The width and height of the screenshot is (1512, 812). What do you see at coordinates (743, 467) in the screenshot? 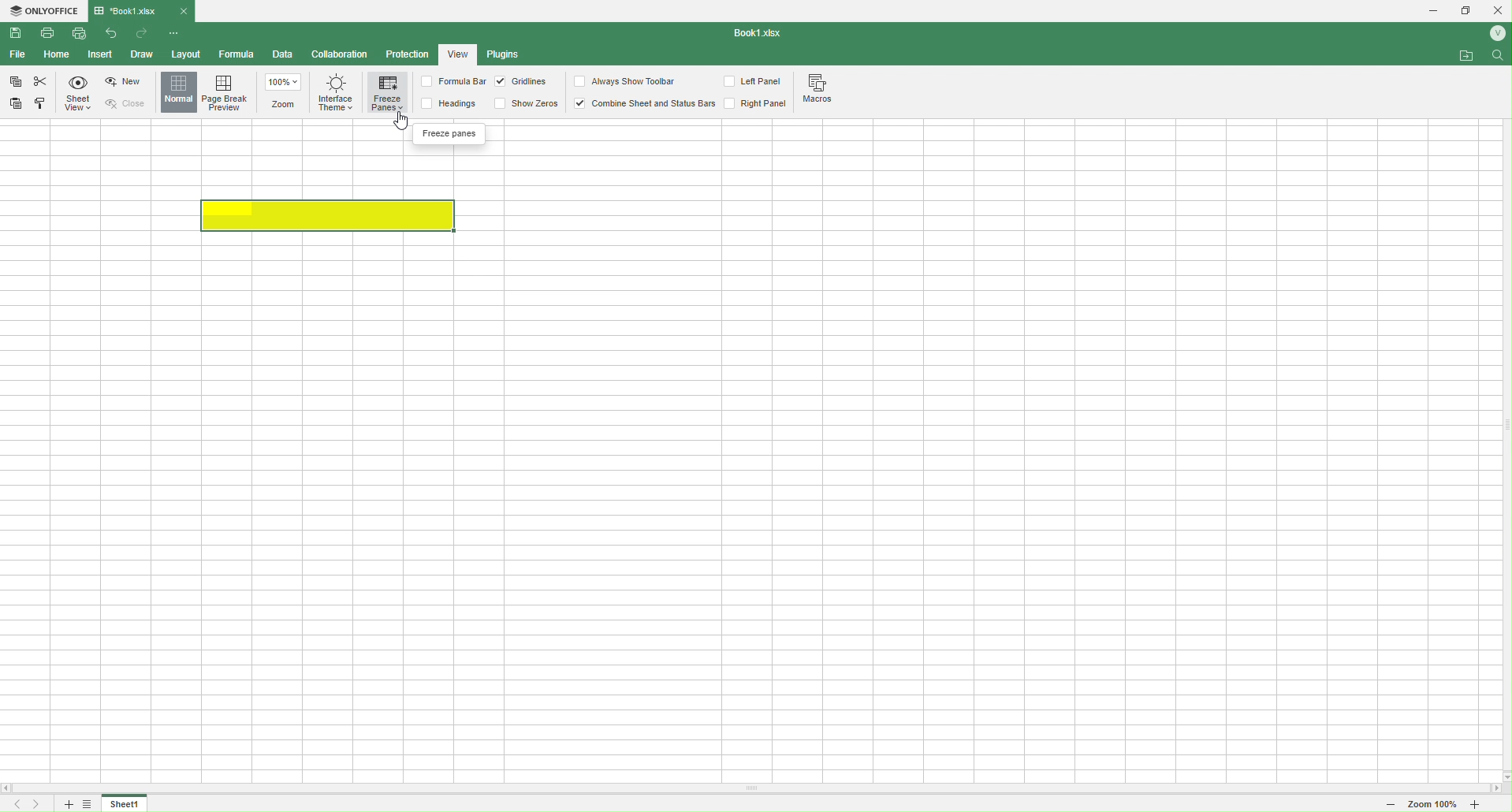
I see `Cells` at bounding box center [743, 467].